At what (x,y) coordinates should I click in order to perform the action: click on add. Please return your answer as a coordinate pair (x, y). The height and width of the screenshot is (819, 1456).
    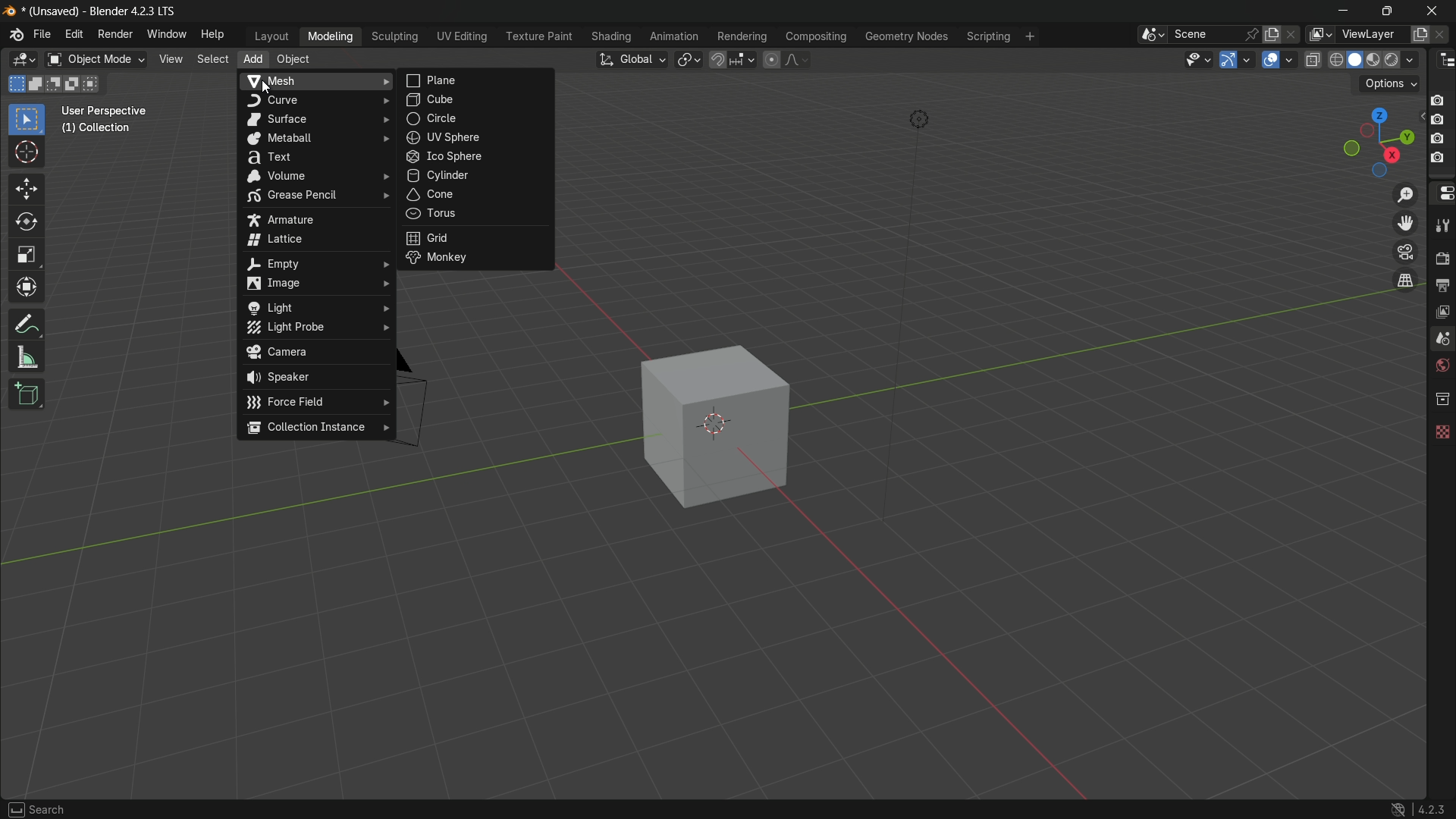
    Looking at the image, I should click on (253, 59).